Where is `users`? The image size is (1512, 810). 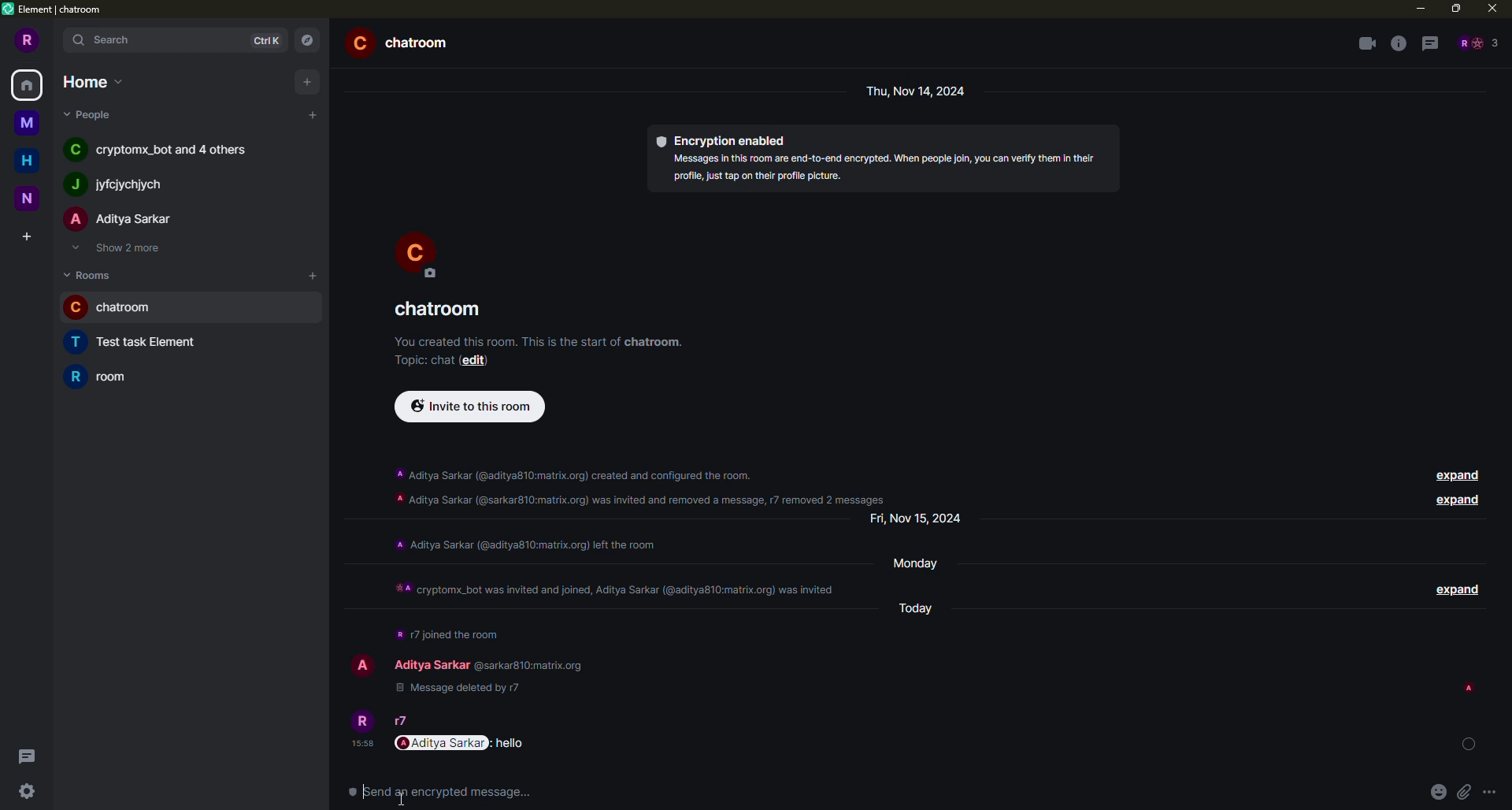 users is located at coordinates (493, 663).